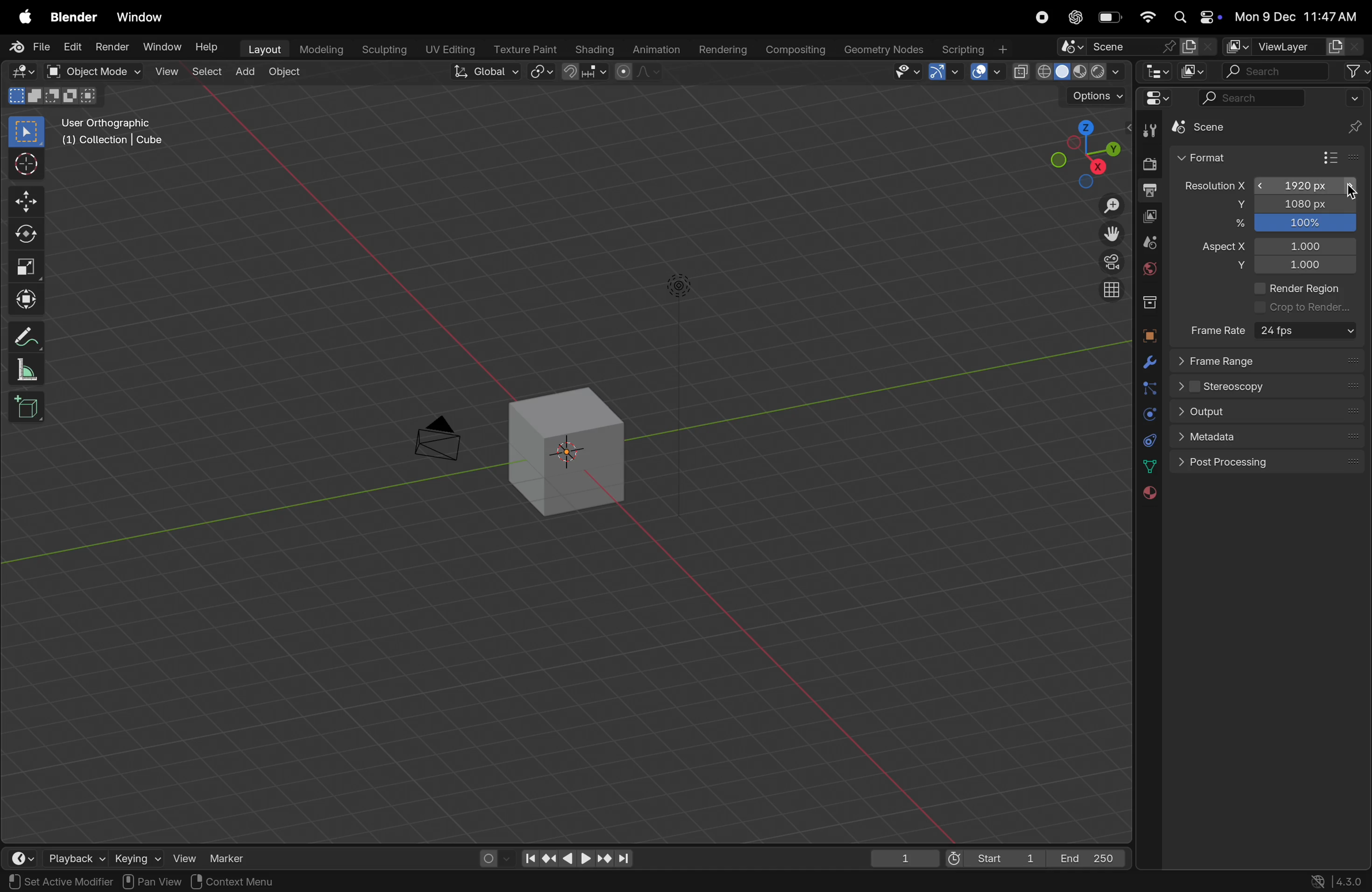 The width and height of the screenshot is (1372, 892). Describe the element at coordinates (1257, 464) in the screenshot. I see `post processing` at that location.